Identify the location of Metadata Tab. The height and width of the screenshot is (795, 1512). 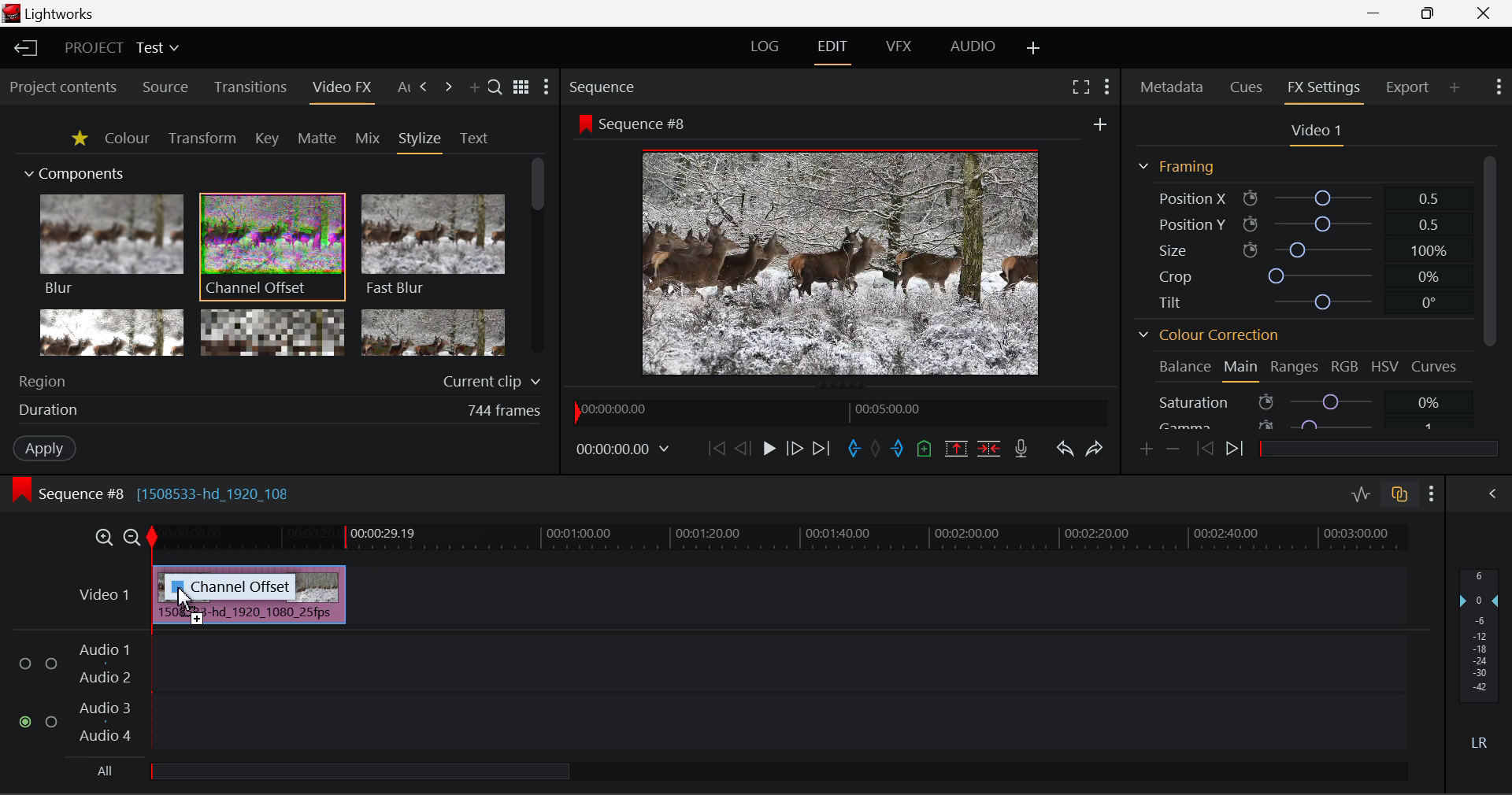
(1170, 87).